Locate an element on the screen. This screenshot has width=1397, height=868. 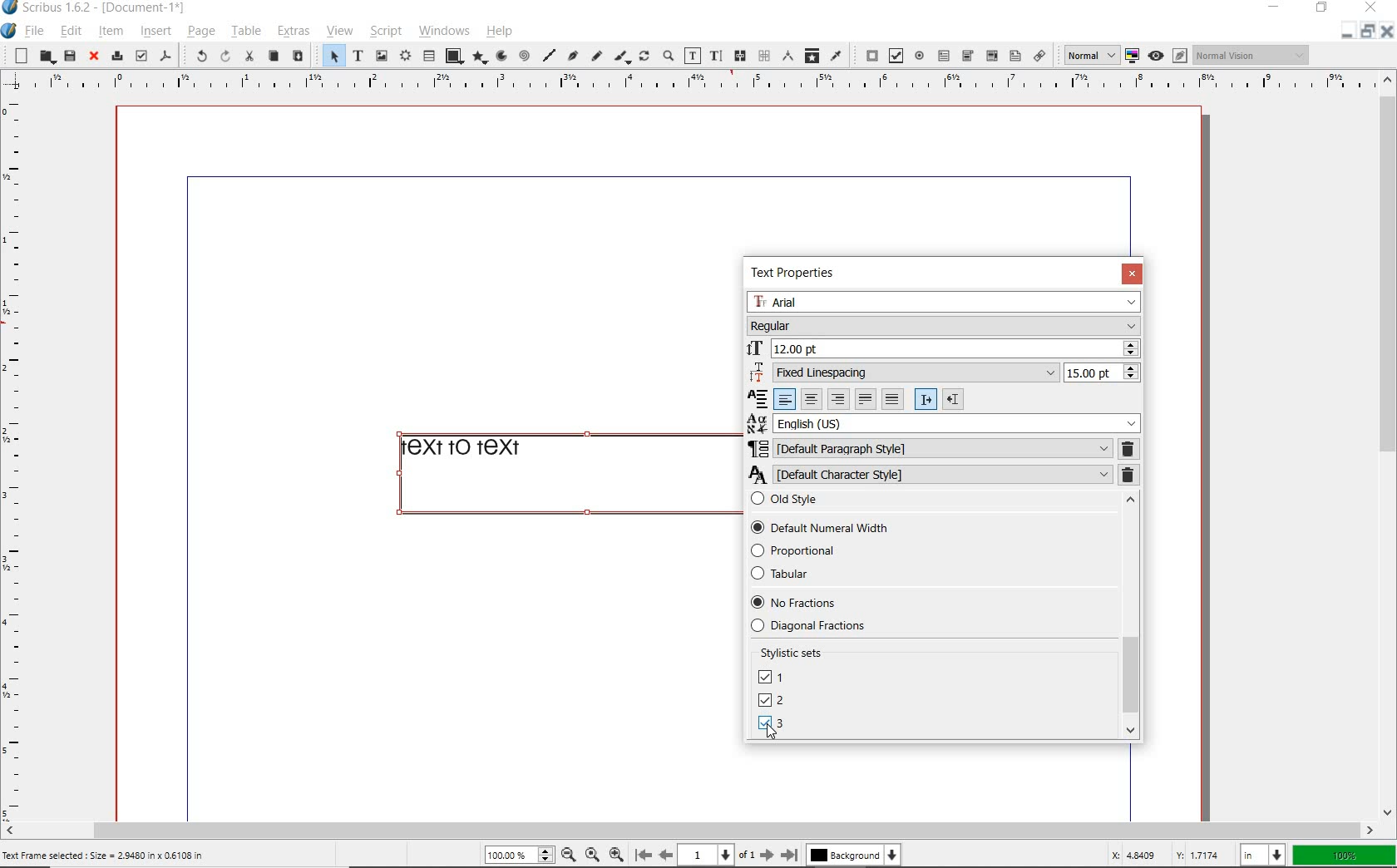
Right align is located at coordinates (837, 400).